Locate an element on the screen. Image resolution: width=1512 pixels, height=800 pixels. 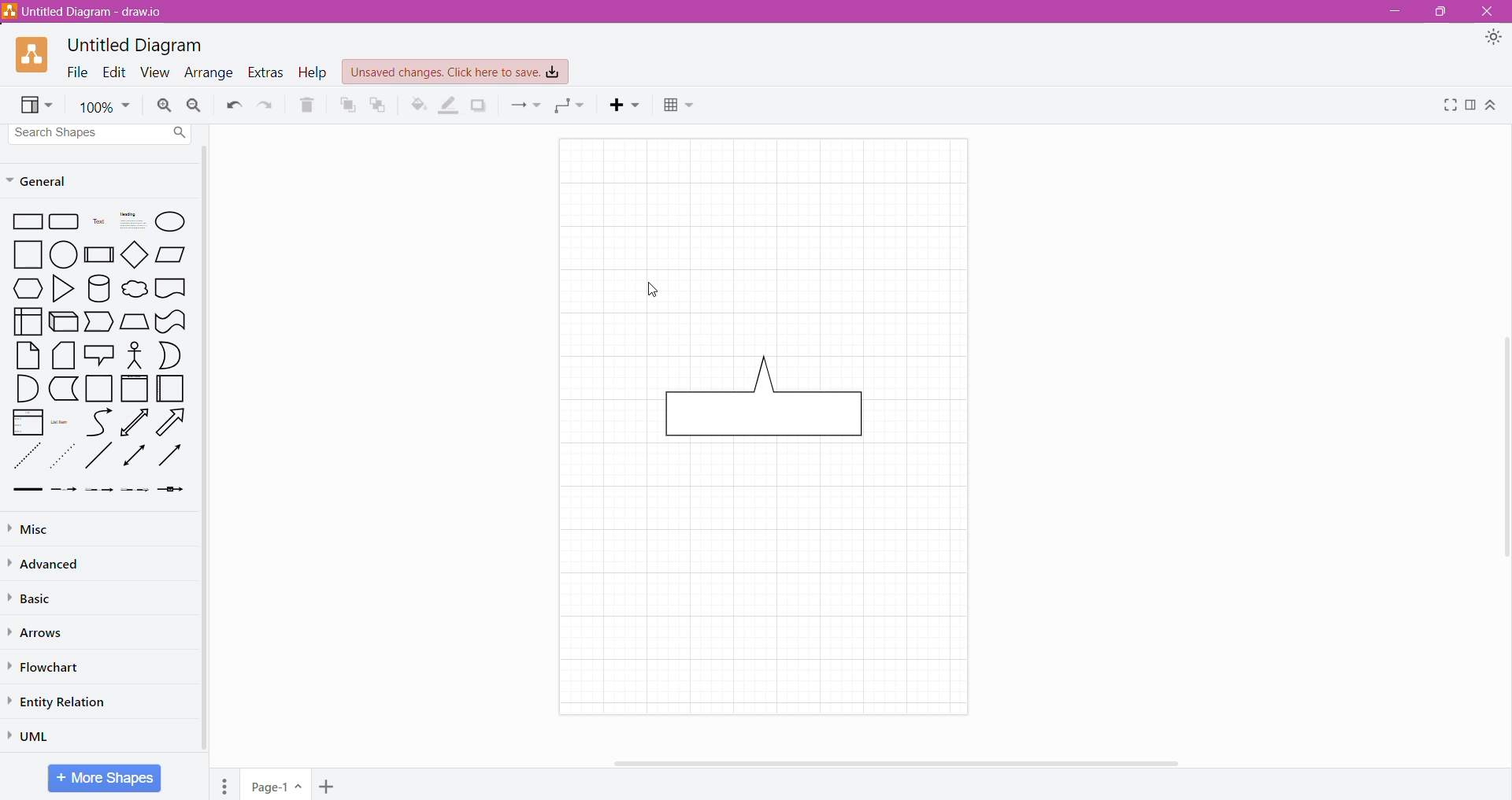
Application Logo is located at coordinates (33, 56).